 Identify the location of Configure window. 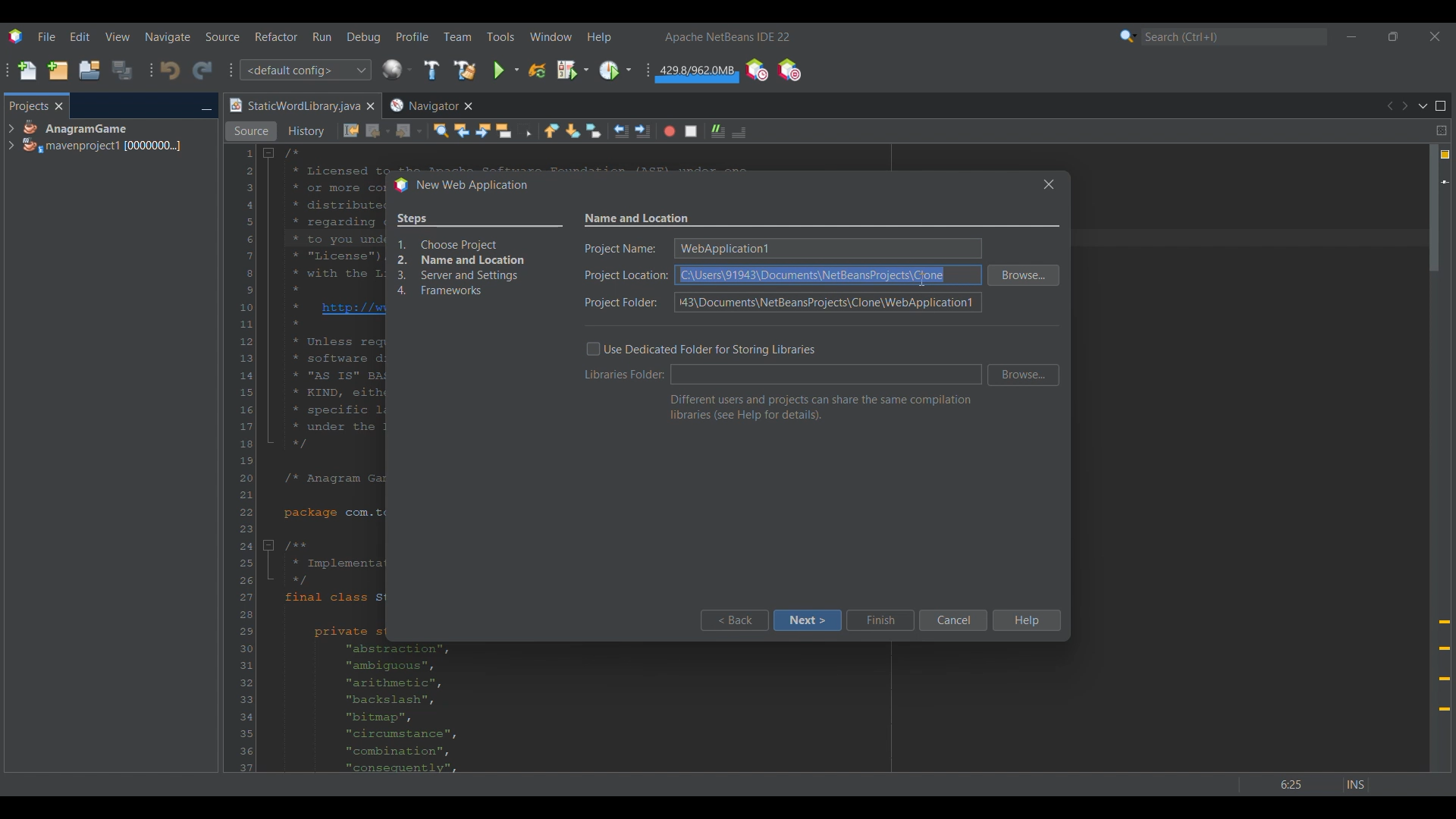
(397, 69).